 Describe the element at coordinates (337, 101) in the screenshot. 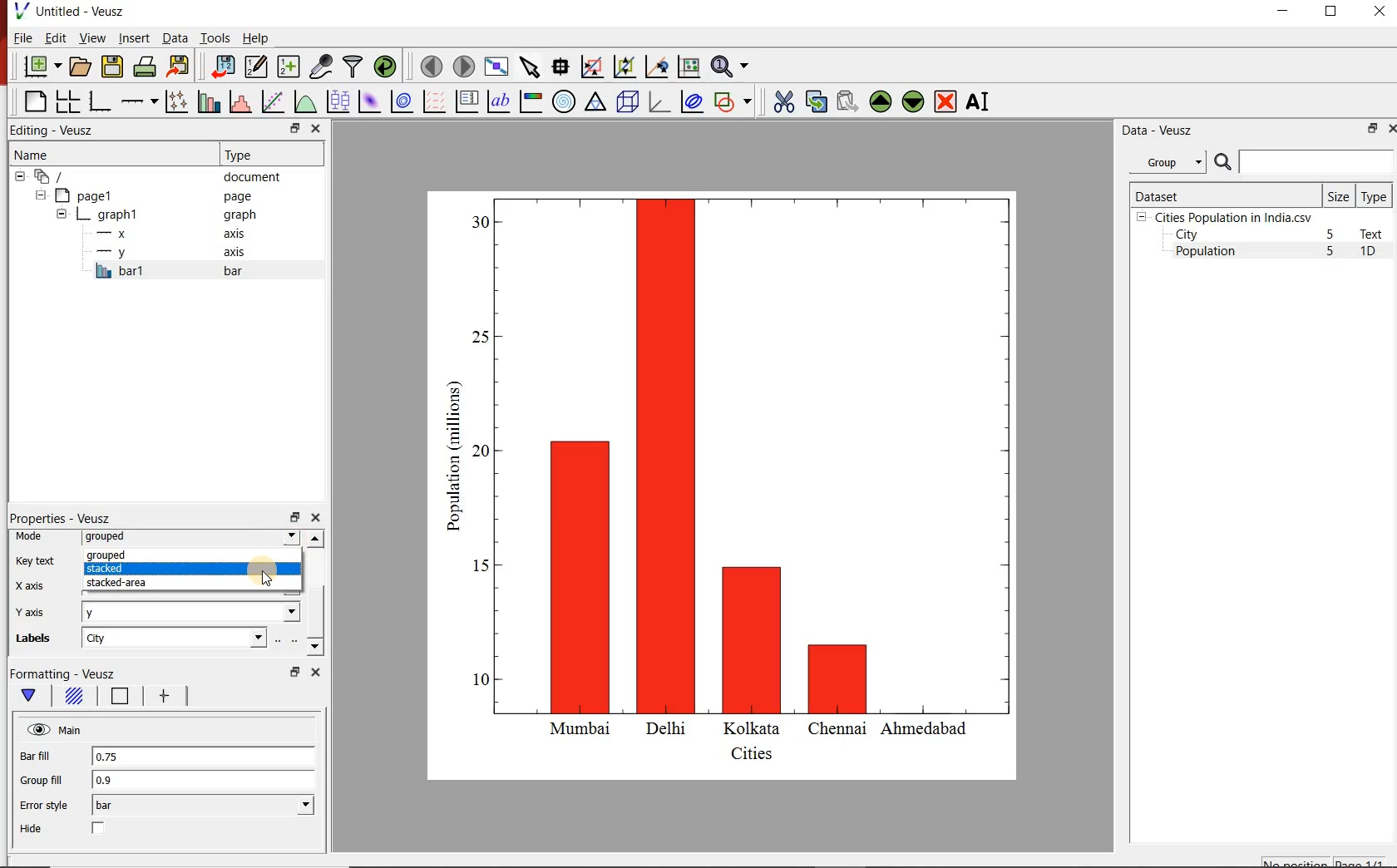

I see `plot box plots` at that location.